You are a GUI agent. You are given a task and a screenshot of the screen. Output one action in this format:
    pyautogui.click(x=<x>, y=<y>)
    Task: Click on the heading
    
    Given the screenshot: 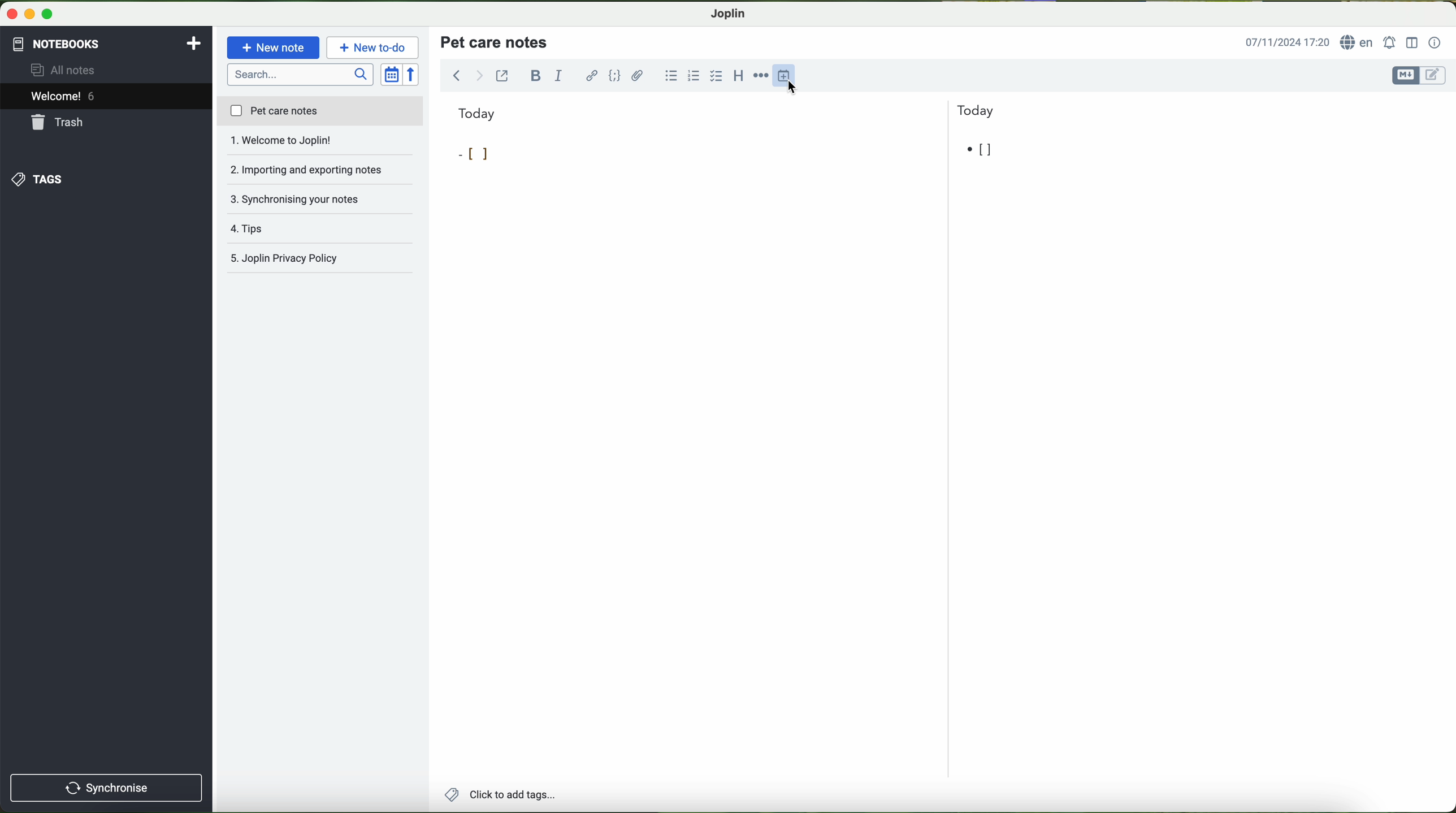 What is the action you would take?
    pyautogui.click(x=739, y=75)
    